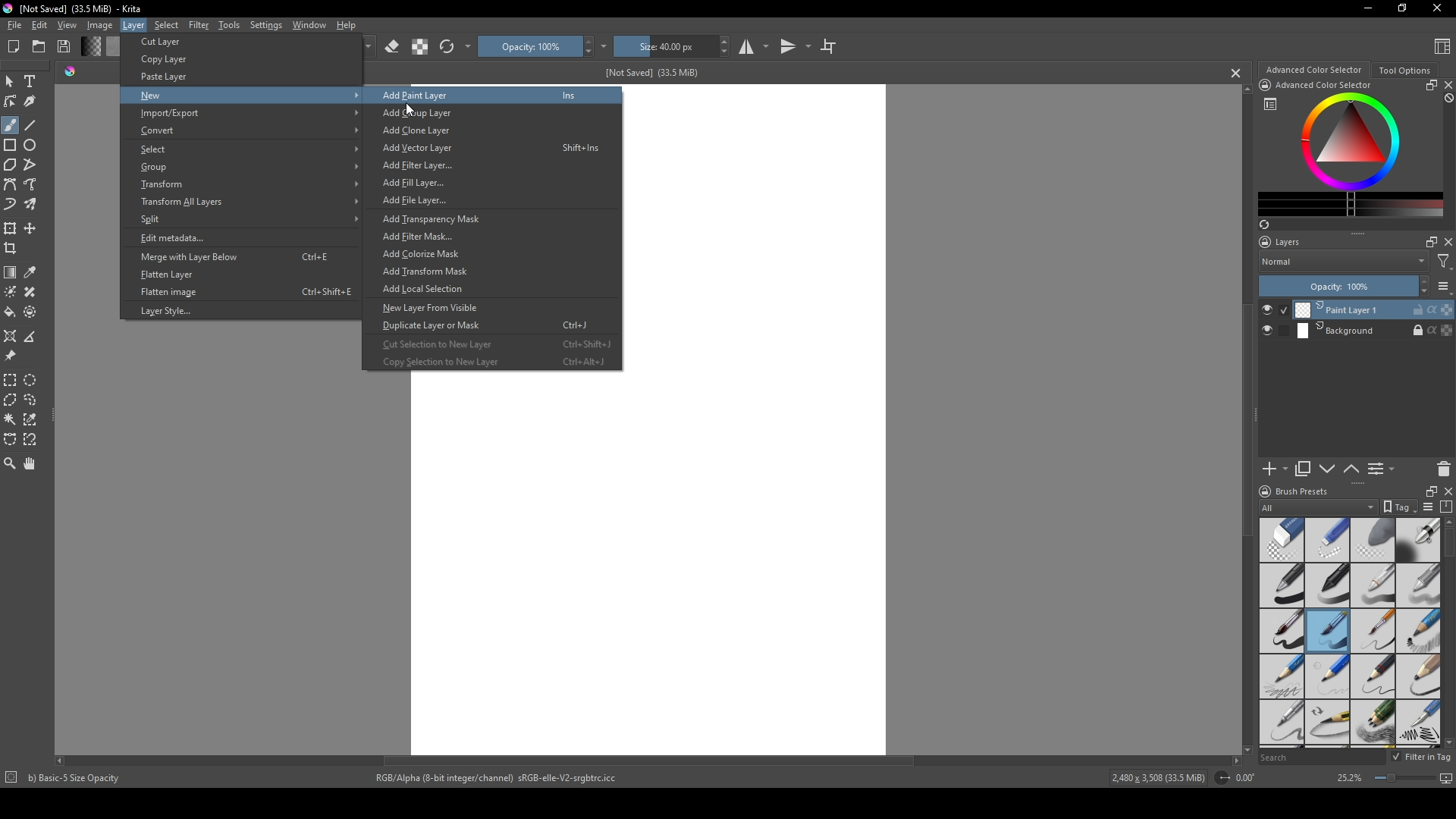 The image size is (1456, 819). What do you see at coordinates (1447, 491) in the screenshot?
I see `close` at bounding box center [1447, 491].